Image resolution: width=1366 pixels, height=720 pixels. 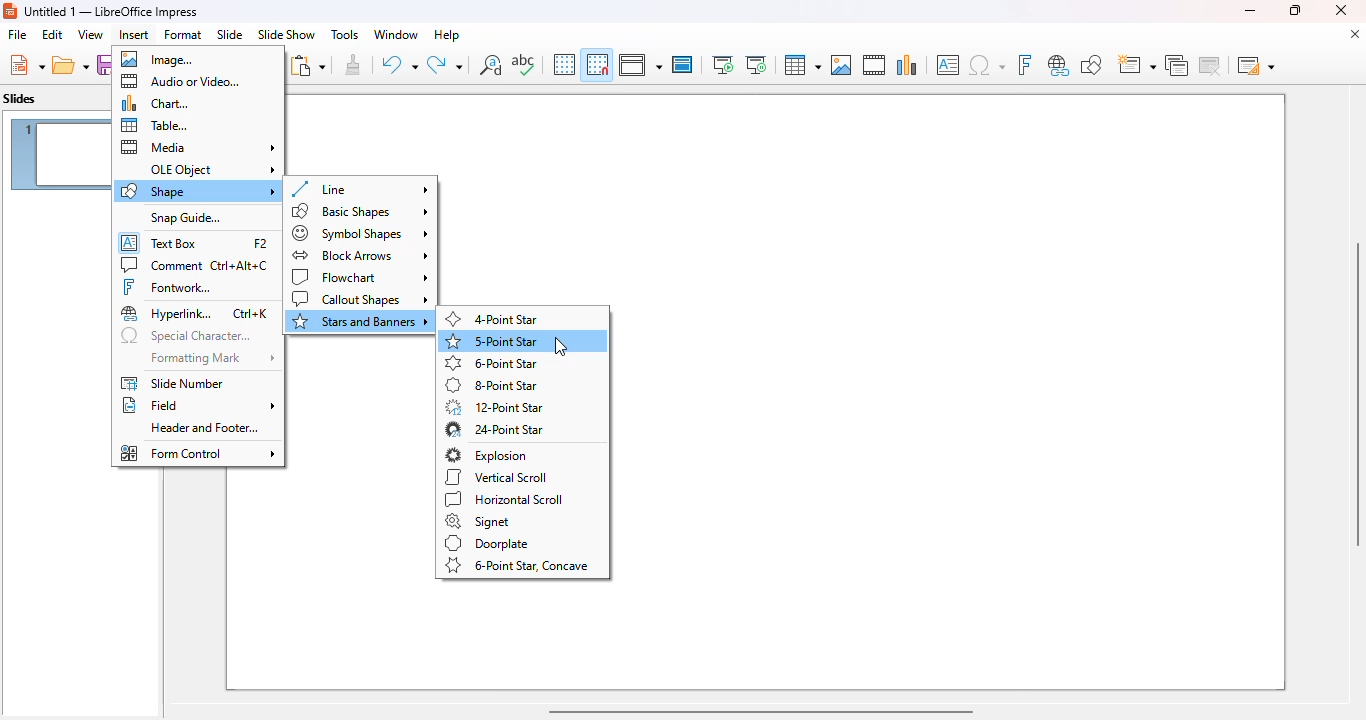 I want to click on view, so click(x=90, y=34).